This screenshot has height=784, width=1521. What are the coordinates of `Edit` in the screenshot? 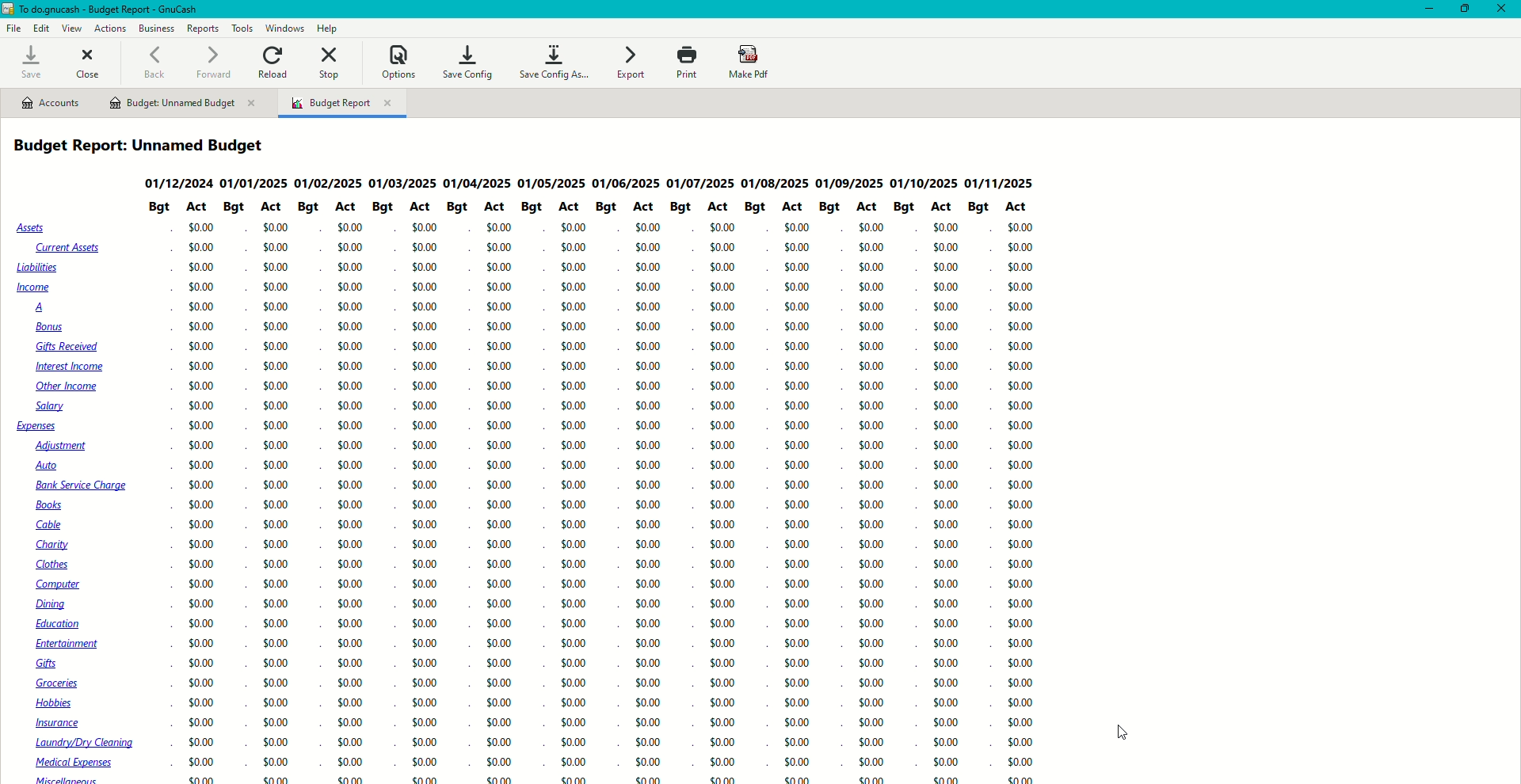 It's located at (42, 29).